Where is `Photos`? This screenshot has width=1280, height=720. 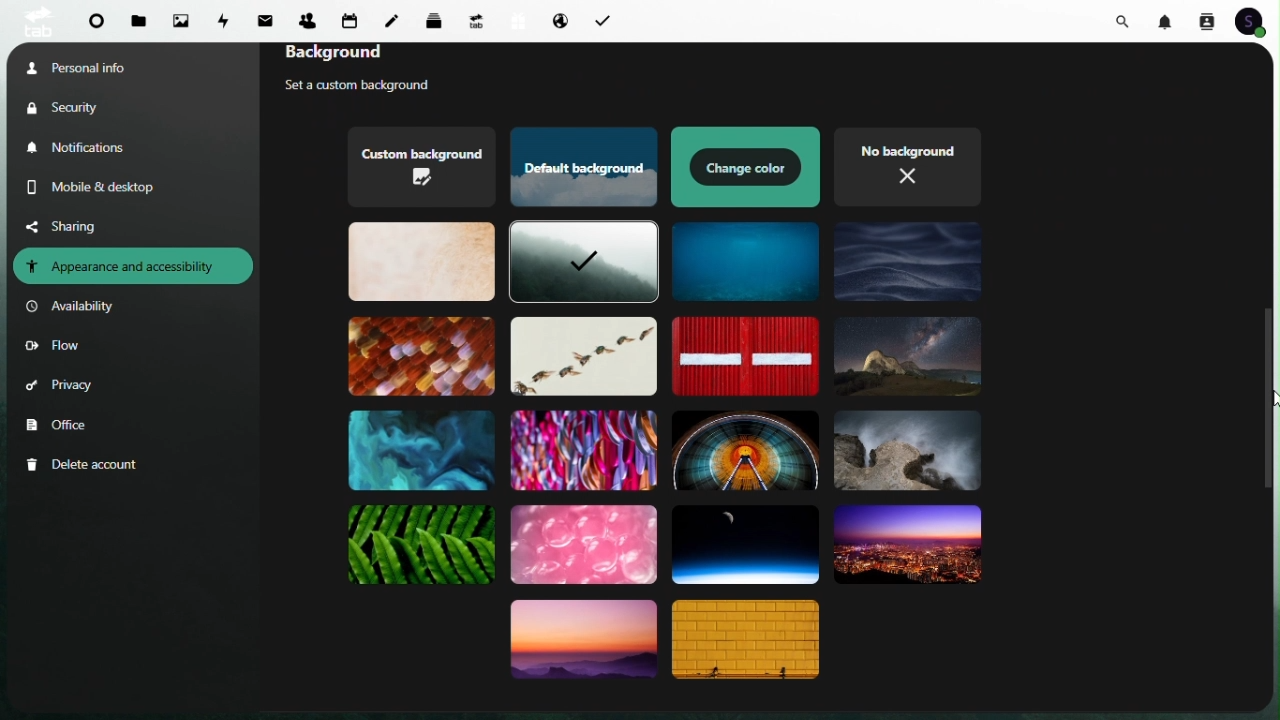 Photos is located at coordinates (181, 20).